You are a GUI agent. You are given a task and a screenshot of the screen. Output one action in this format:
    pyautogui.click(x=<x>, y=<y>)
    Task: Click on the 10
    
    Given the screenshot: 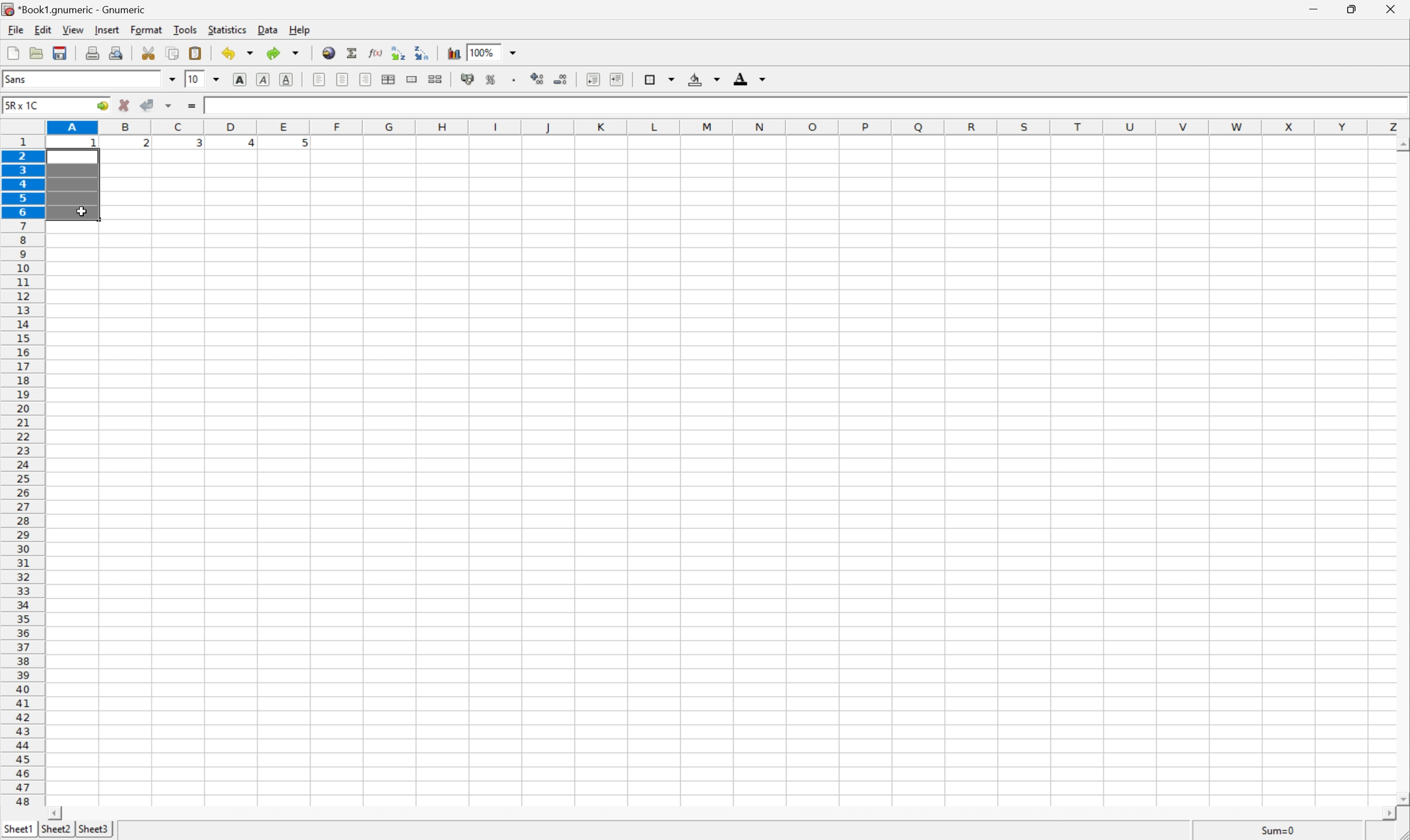 What is the action you would take?
    pyautogui.click(x=194, y=80)
    